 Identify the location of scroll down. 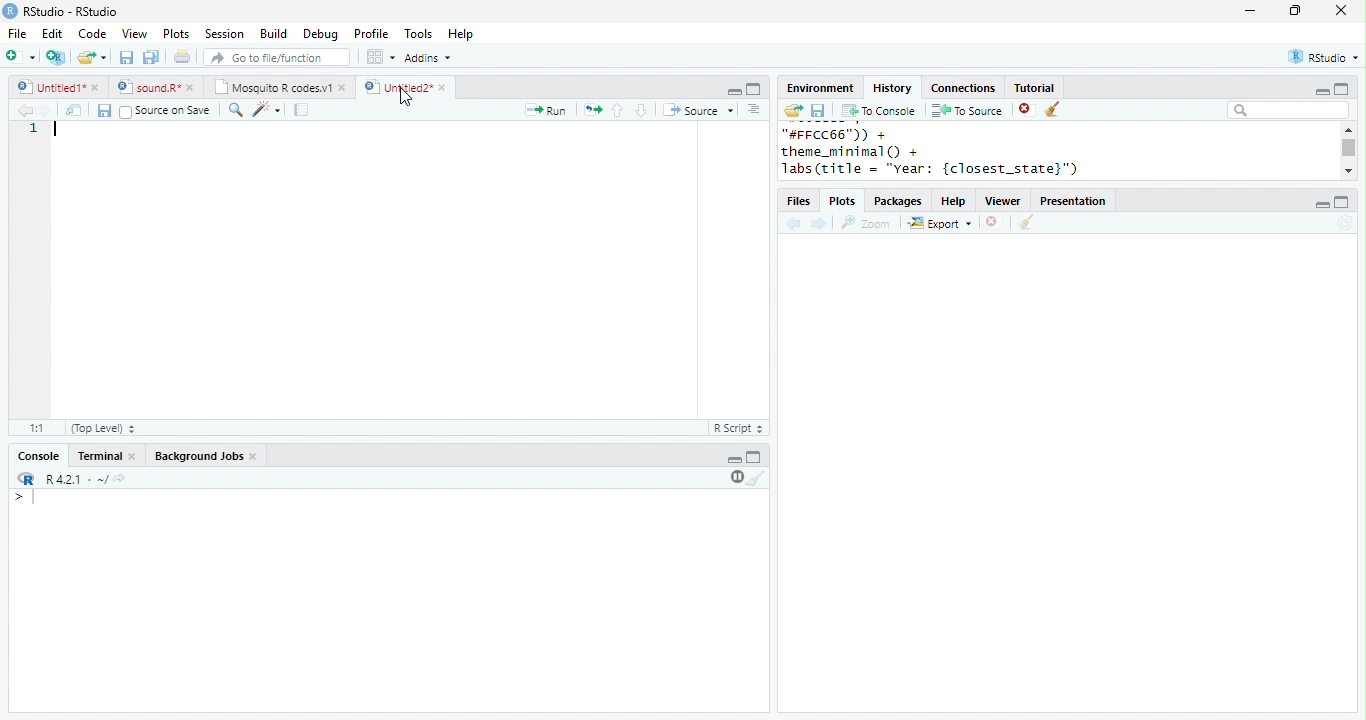
(1347, 171).